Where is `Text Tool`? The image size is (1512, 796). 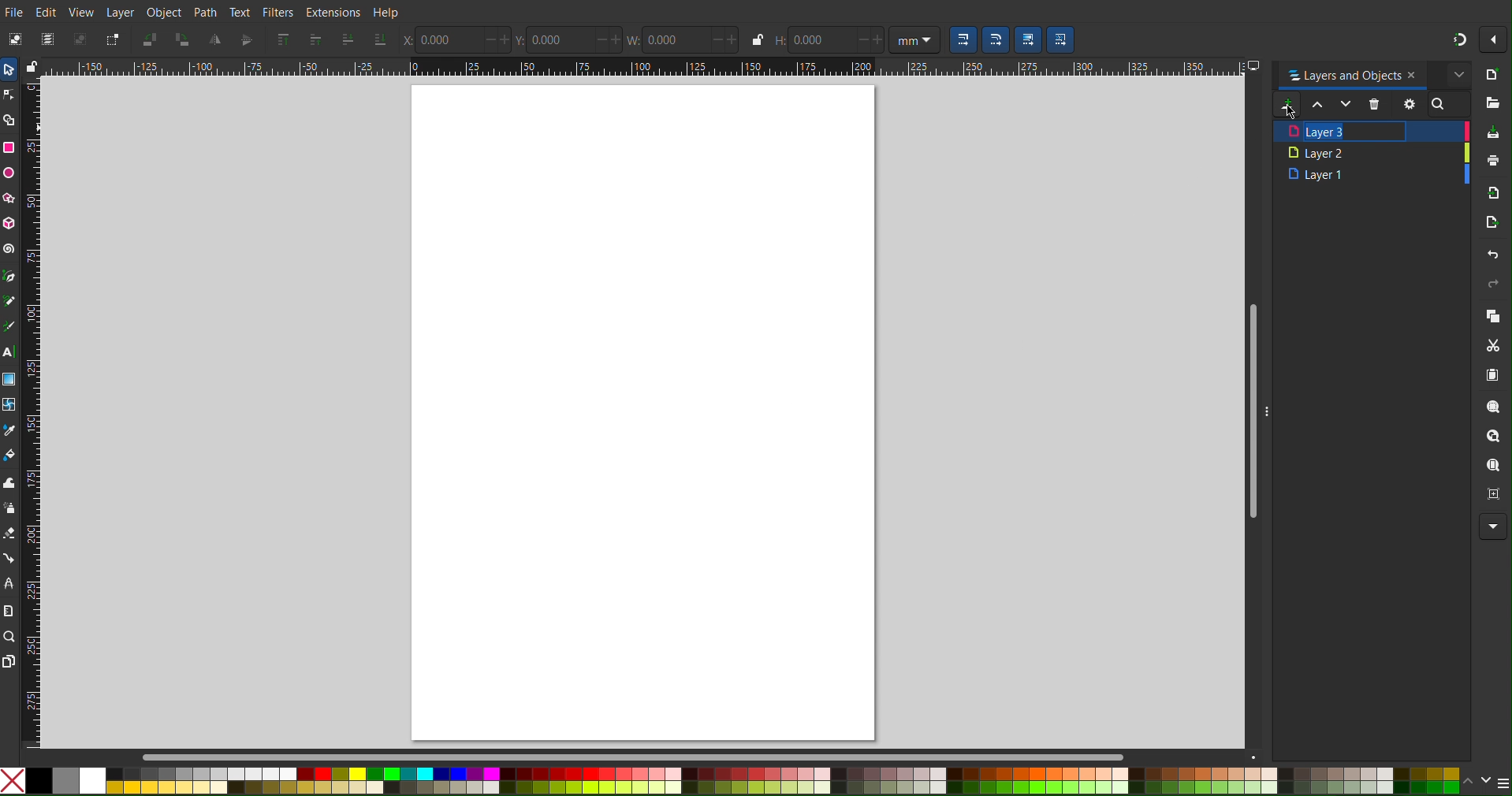 Text Tool is located at coordinates (13, 350).